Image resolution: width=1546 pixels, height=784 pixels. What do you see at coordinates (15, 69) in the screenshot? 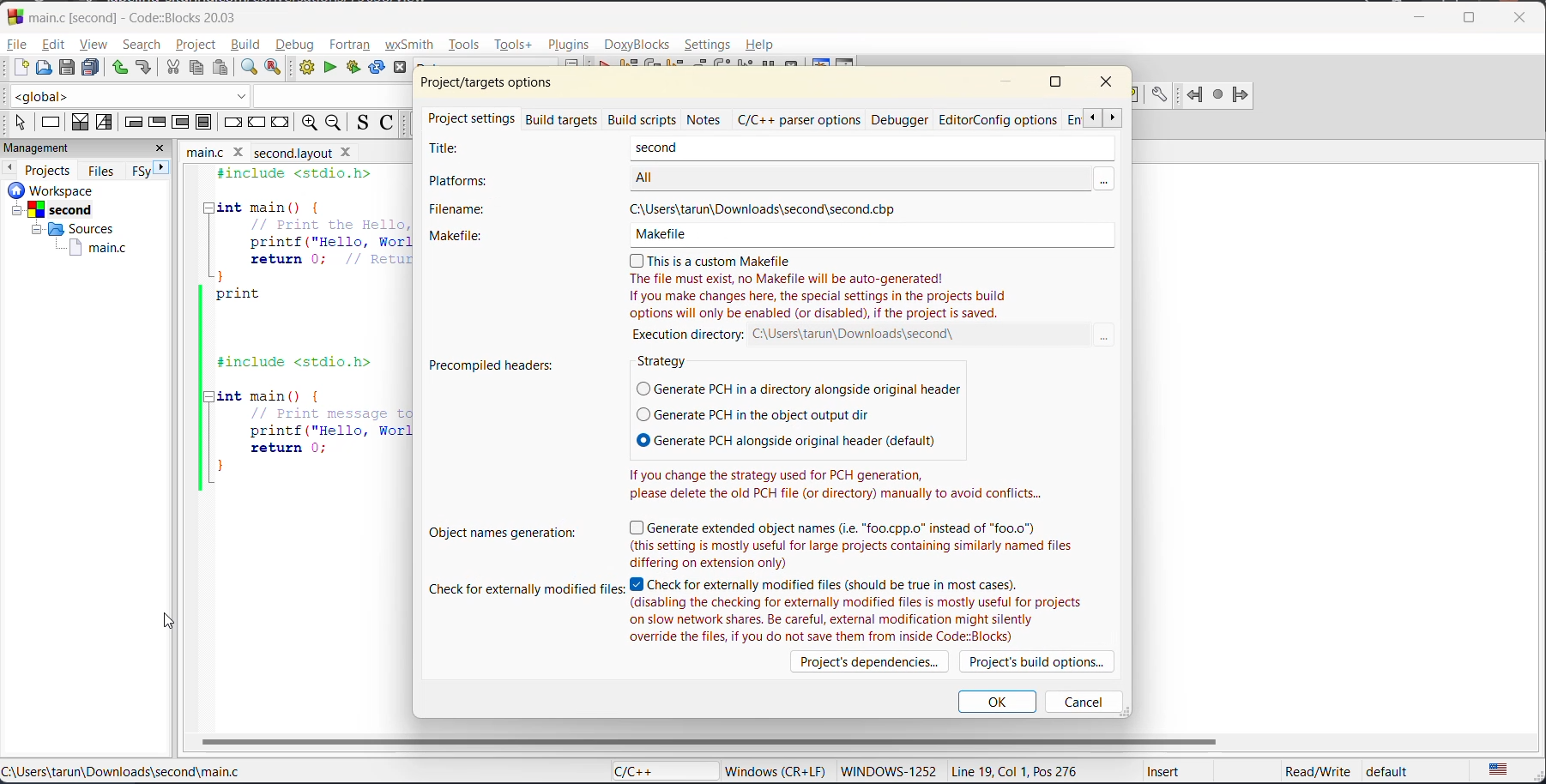
I see `new` at bounding box center [15, 69].